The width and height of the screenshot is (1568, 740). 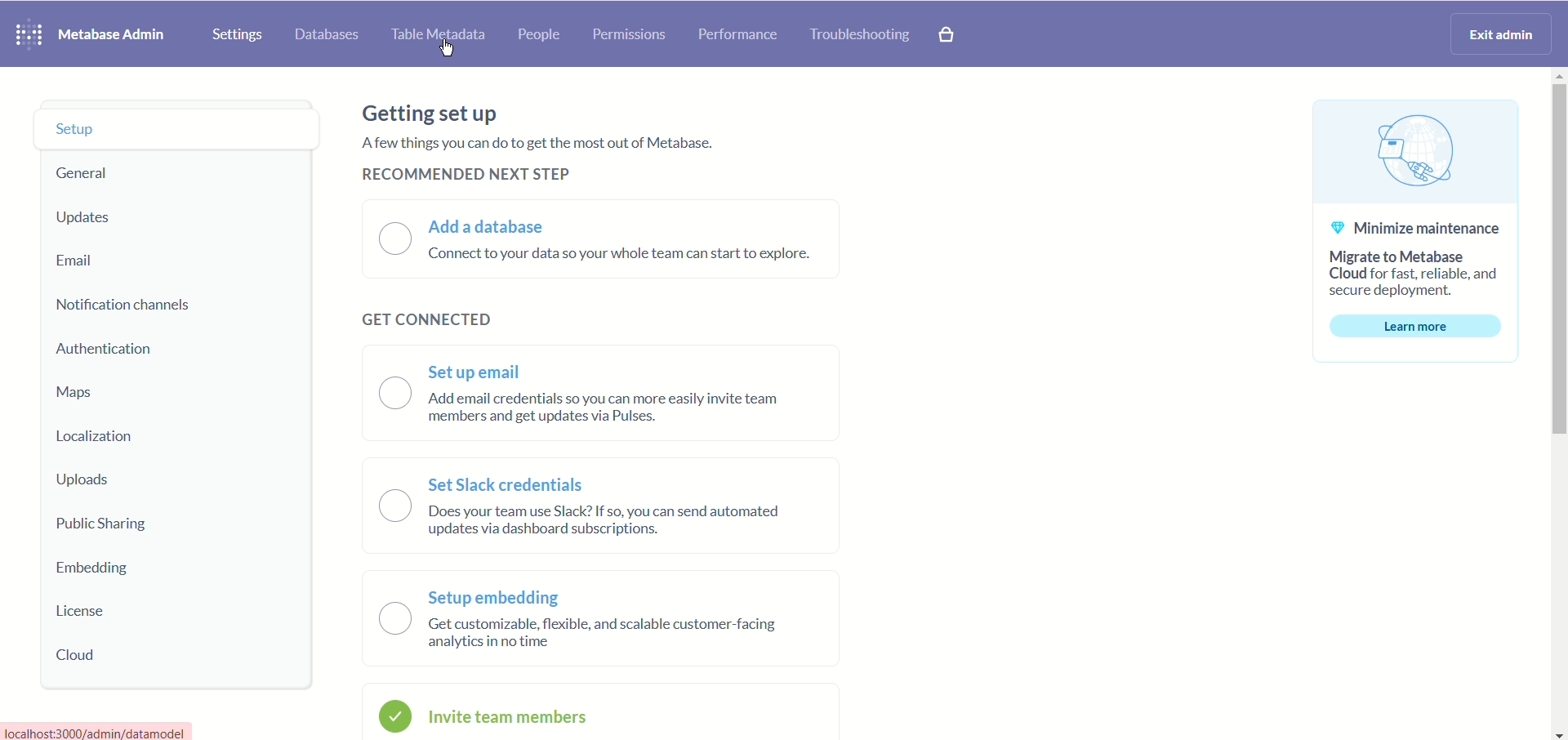 What do you see at coordinates (542, 36) in the screenshot?
I see `People` at bounding box center [542, 36].